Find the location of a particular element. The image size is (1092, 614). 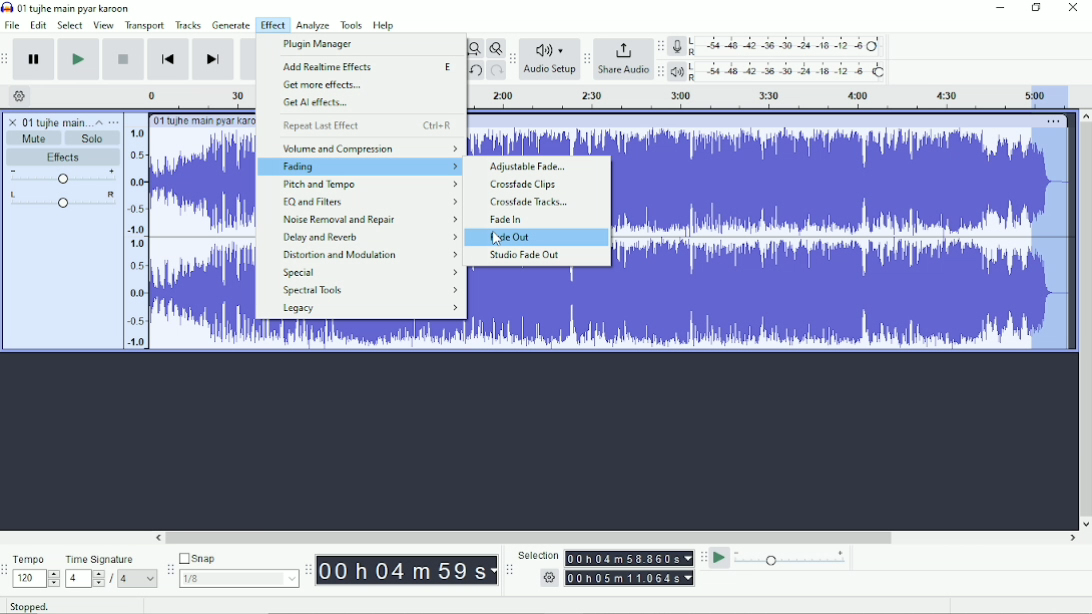

Timeline options is located at coordinates (20, 95).